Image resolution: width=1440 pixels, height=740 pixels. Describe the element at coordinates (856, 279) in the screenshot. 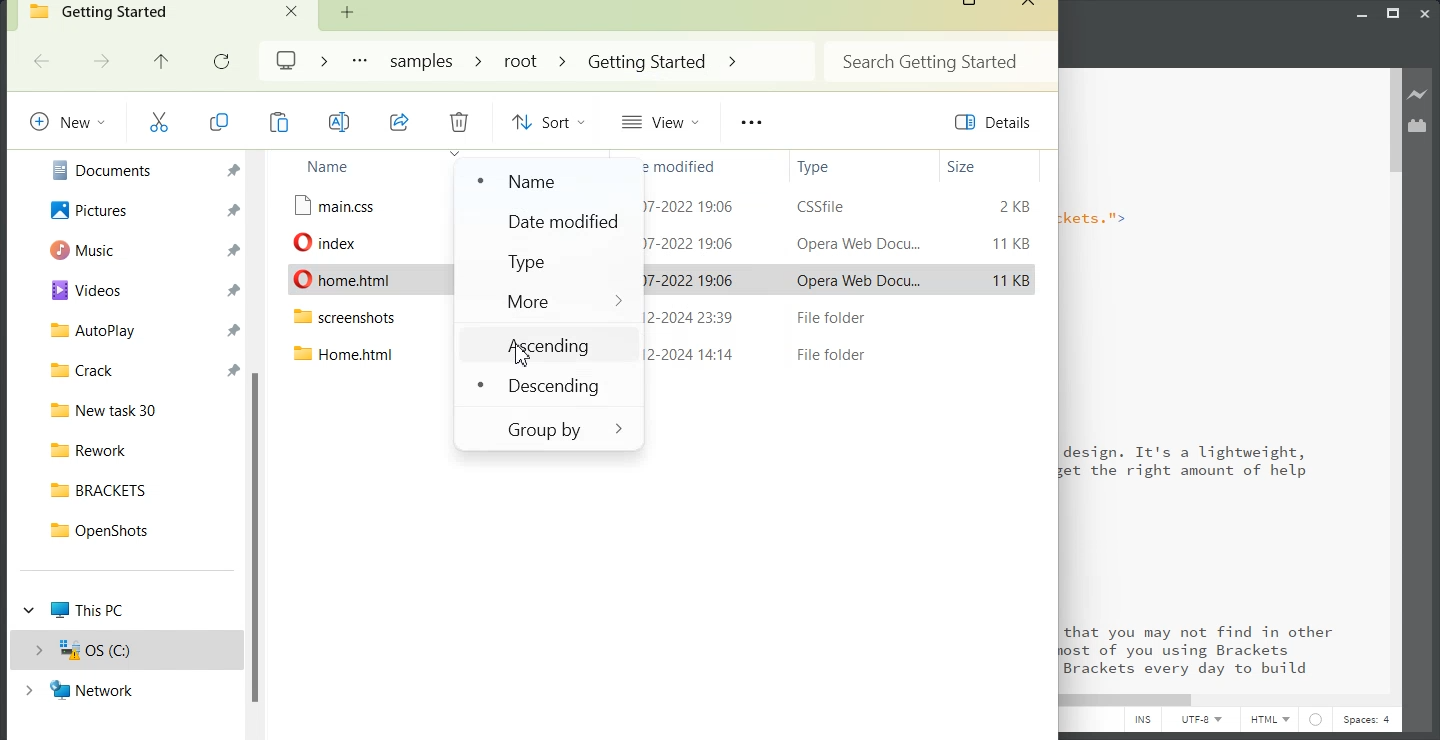

I see `Opera Web Document` at that location.